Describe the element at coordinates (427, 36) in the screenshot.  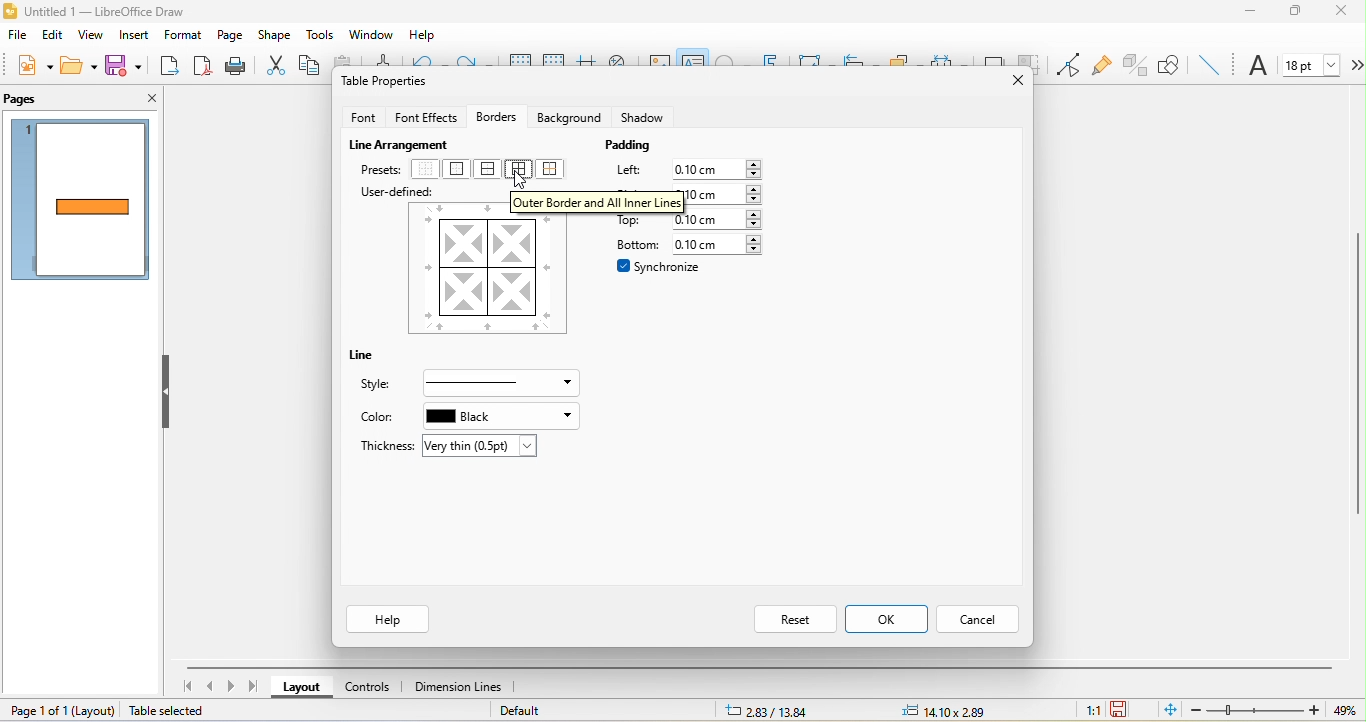
I see `help` at that location.